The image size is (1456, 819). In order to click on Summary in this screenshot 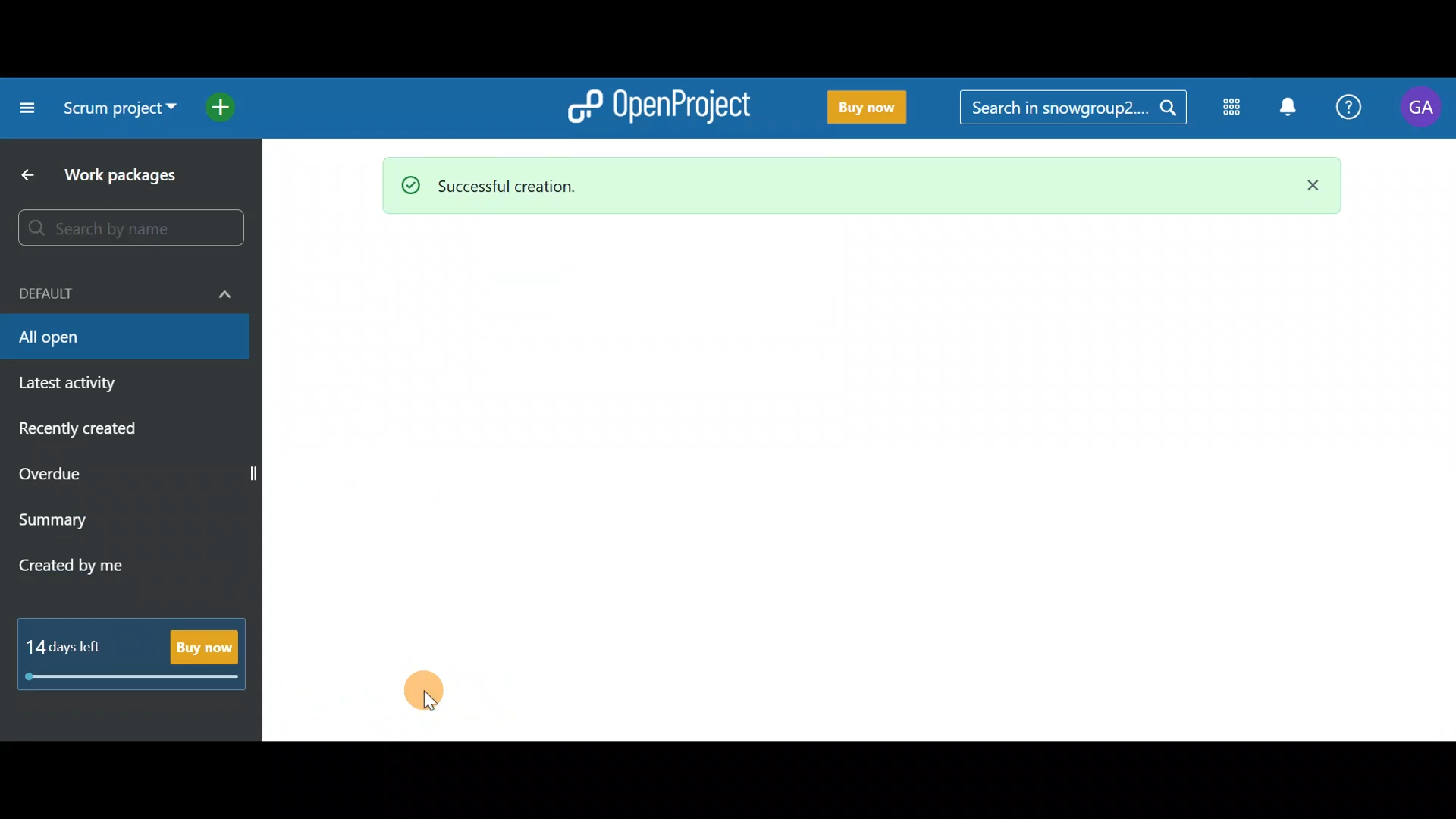, I will do `click(123, 519)`.